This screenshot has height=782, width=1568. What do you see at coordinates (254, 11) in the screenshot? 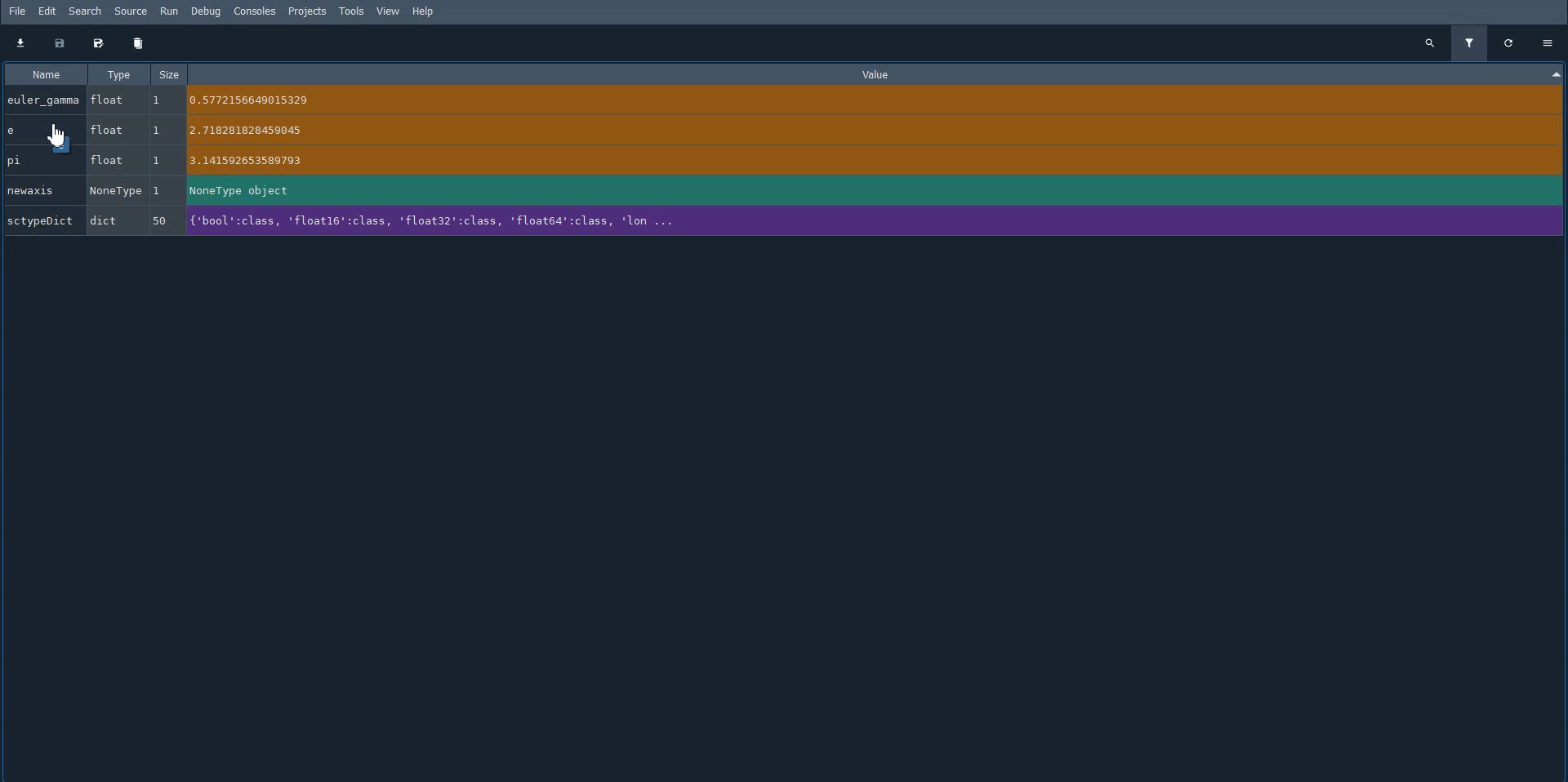
I see `Consoles` at bounding box center [254, 11].